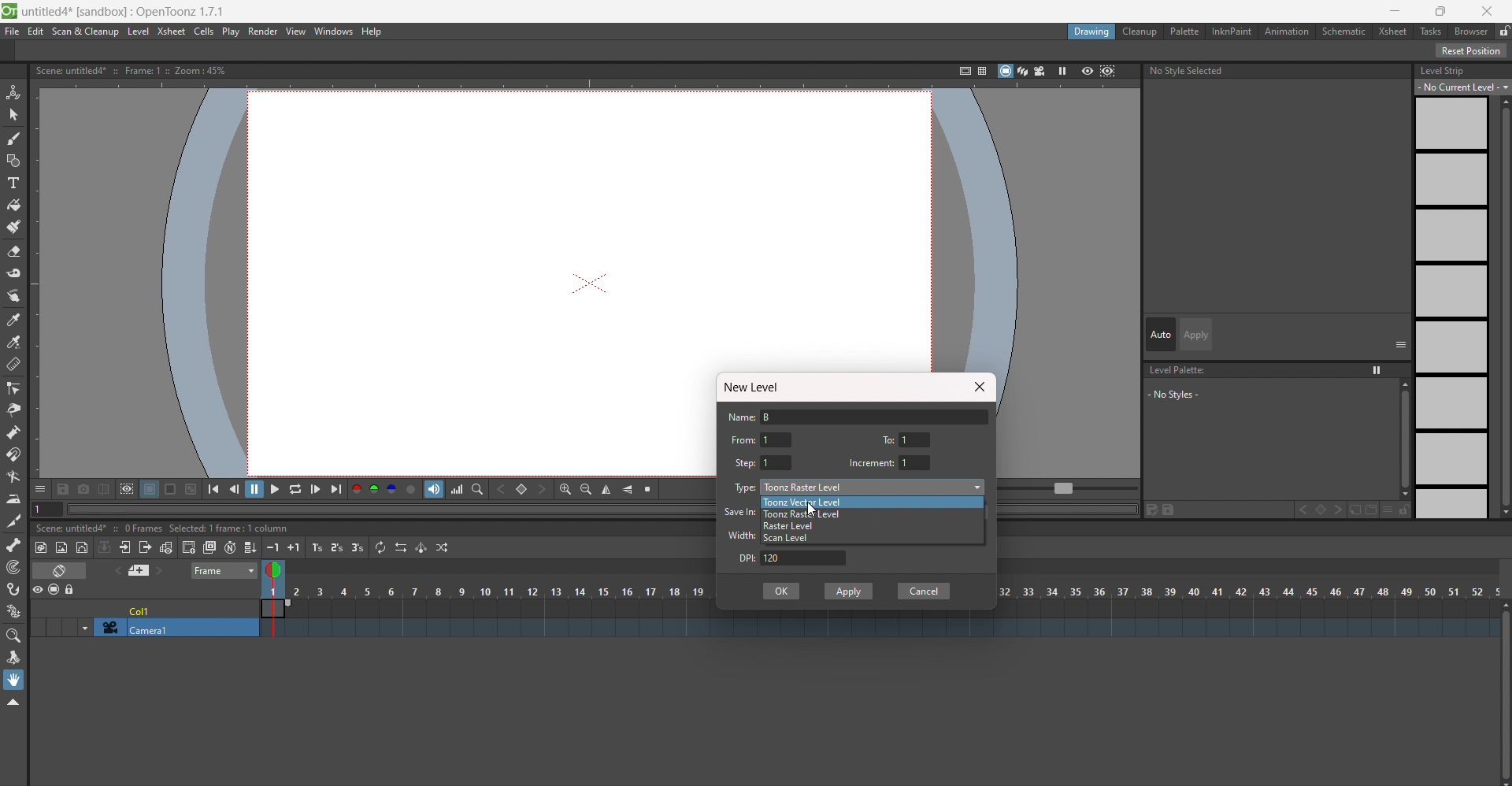 This screenshot has height=786, width=1512. Describe the element at coordinates (83, 32) in the screenshot. I see `scan & cleanup` at that location.